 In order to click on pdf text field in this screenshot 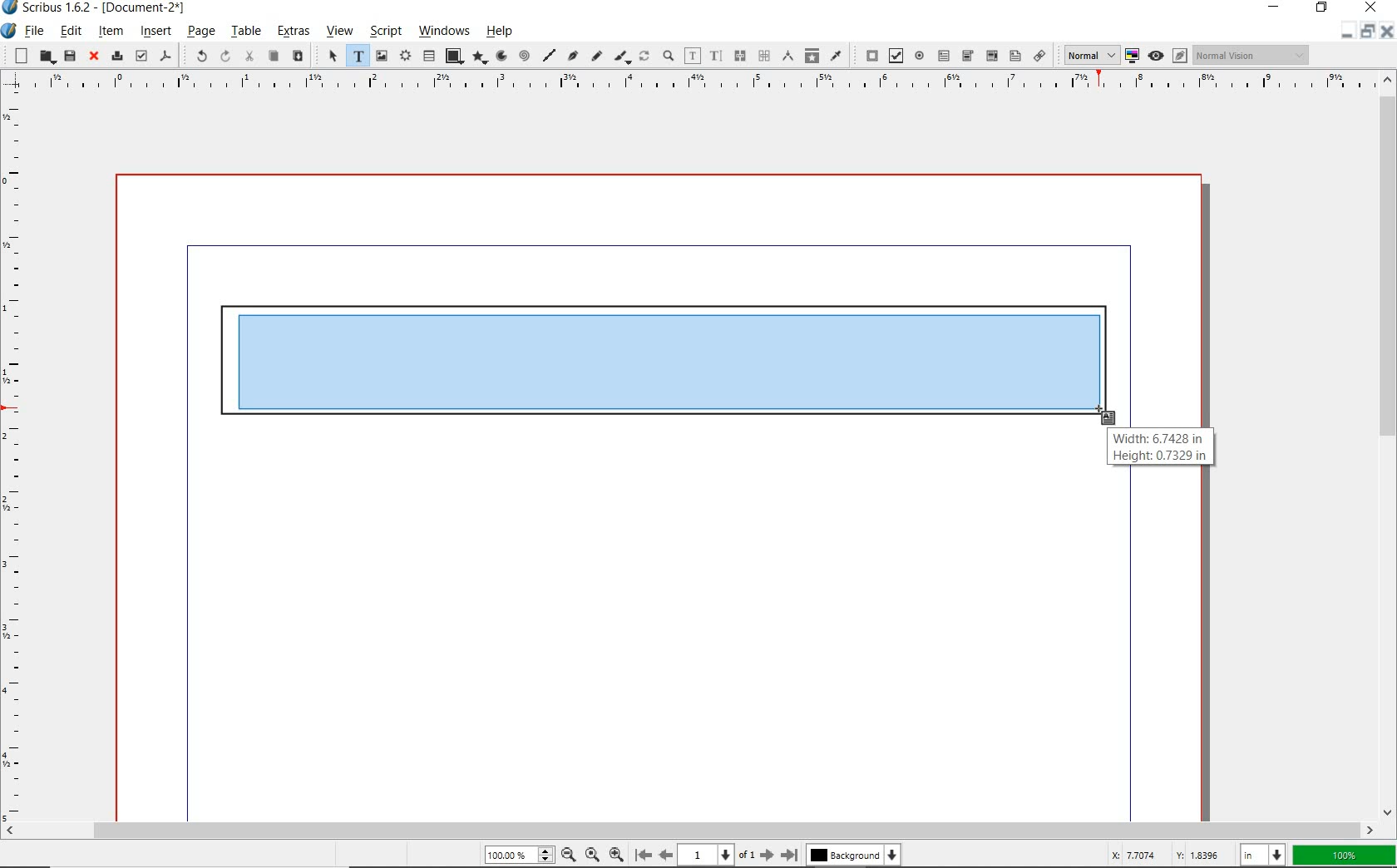, I will do `click(944, 56)`.